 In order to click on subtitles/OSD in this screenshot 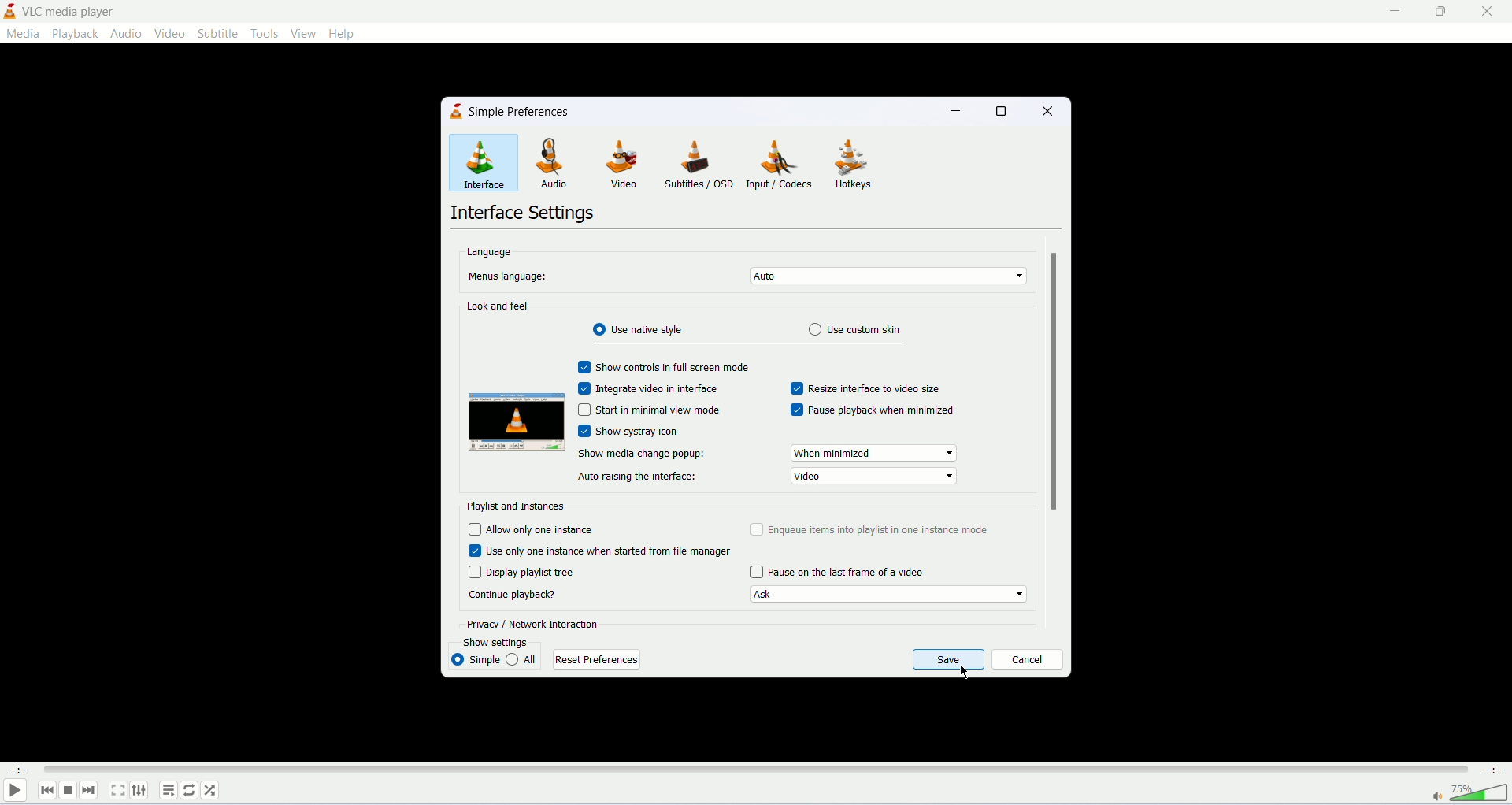, I will do `click(698, 161)`.